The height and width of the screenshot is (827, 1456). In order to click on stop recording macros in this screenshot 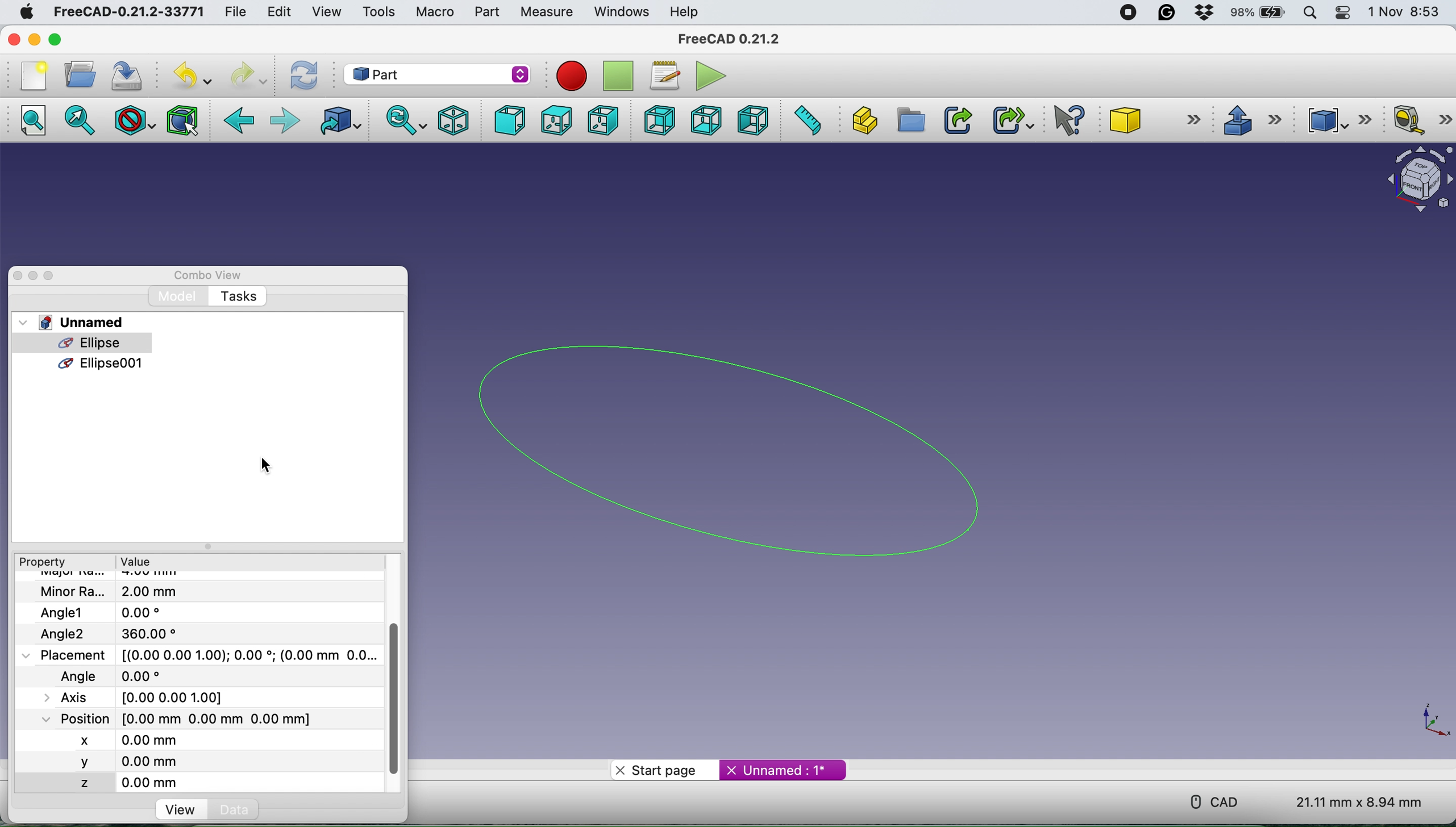, I will do `click(621, 75)`.